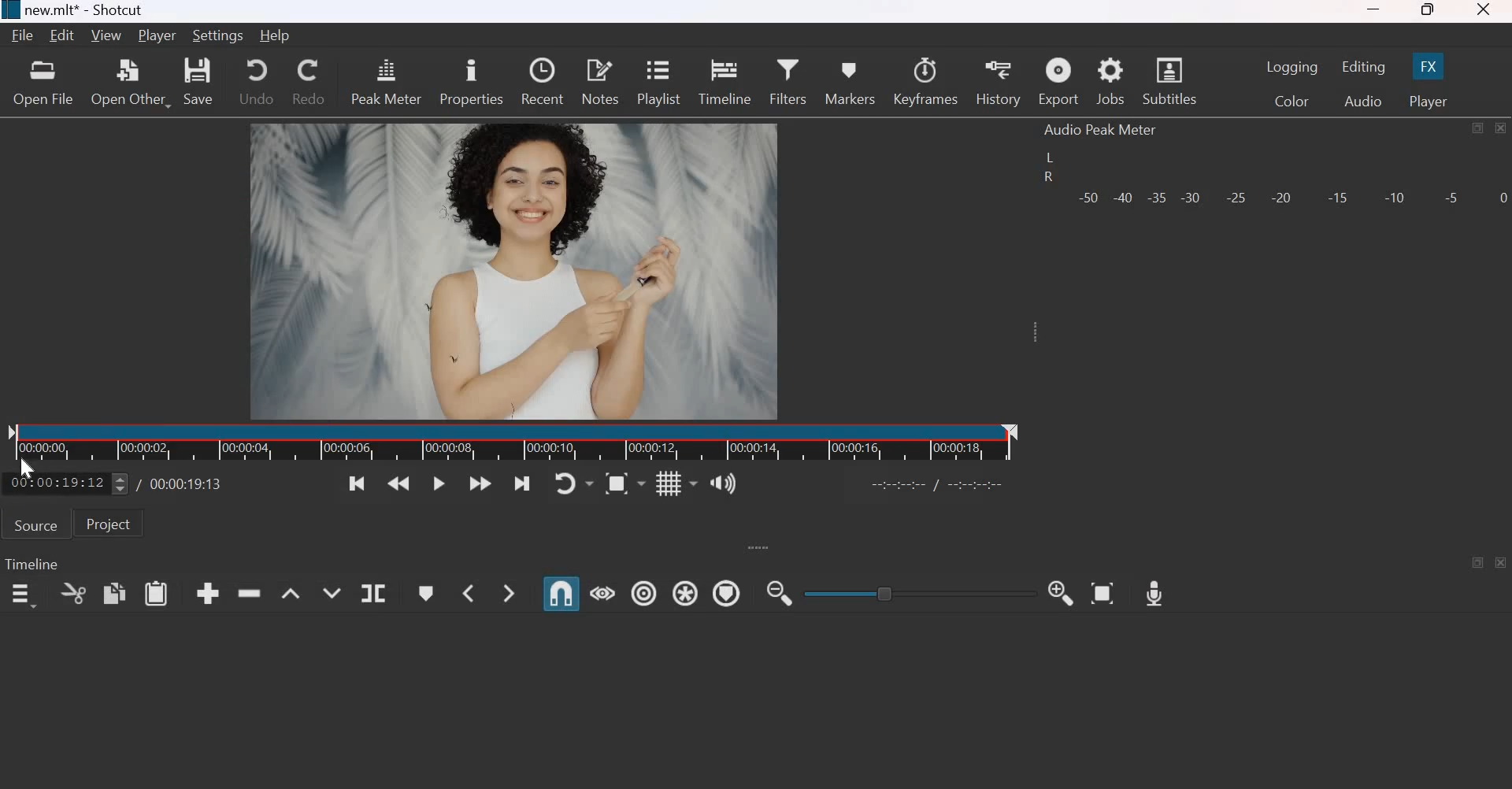  I want to click on markers, so click(848, 83).